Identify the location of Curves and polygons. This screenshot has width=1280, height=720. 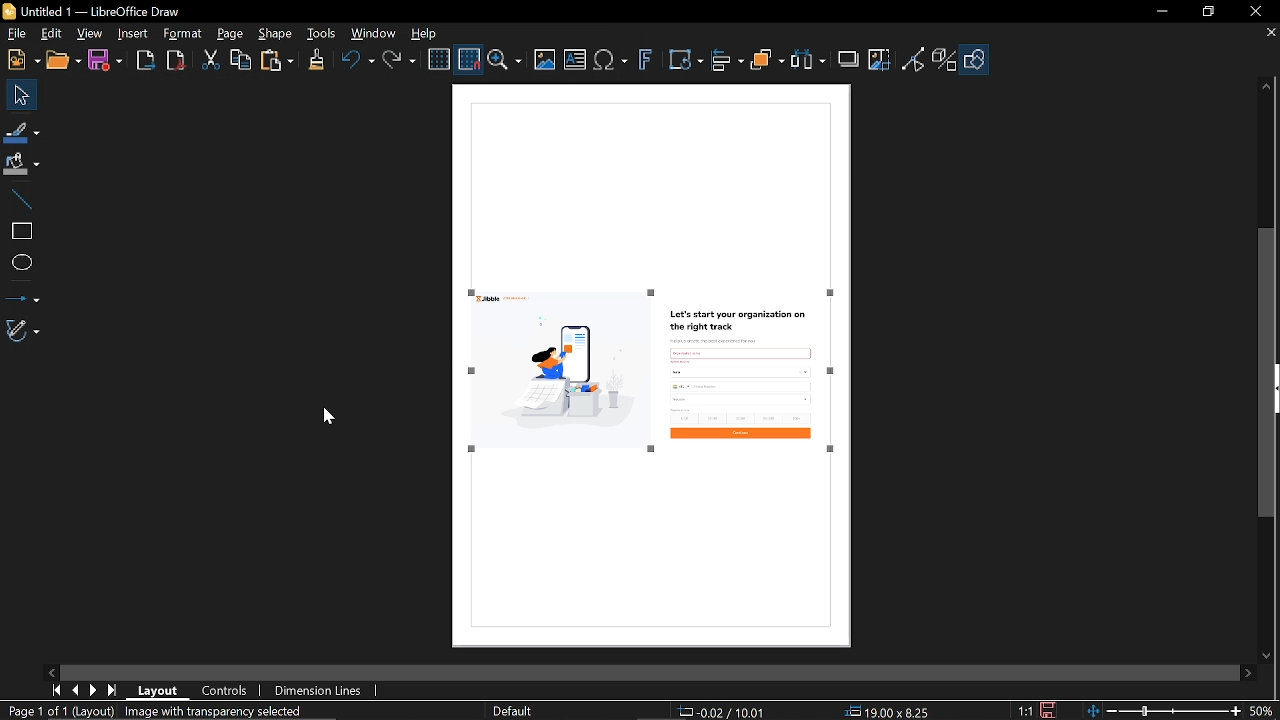
(23, 331).